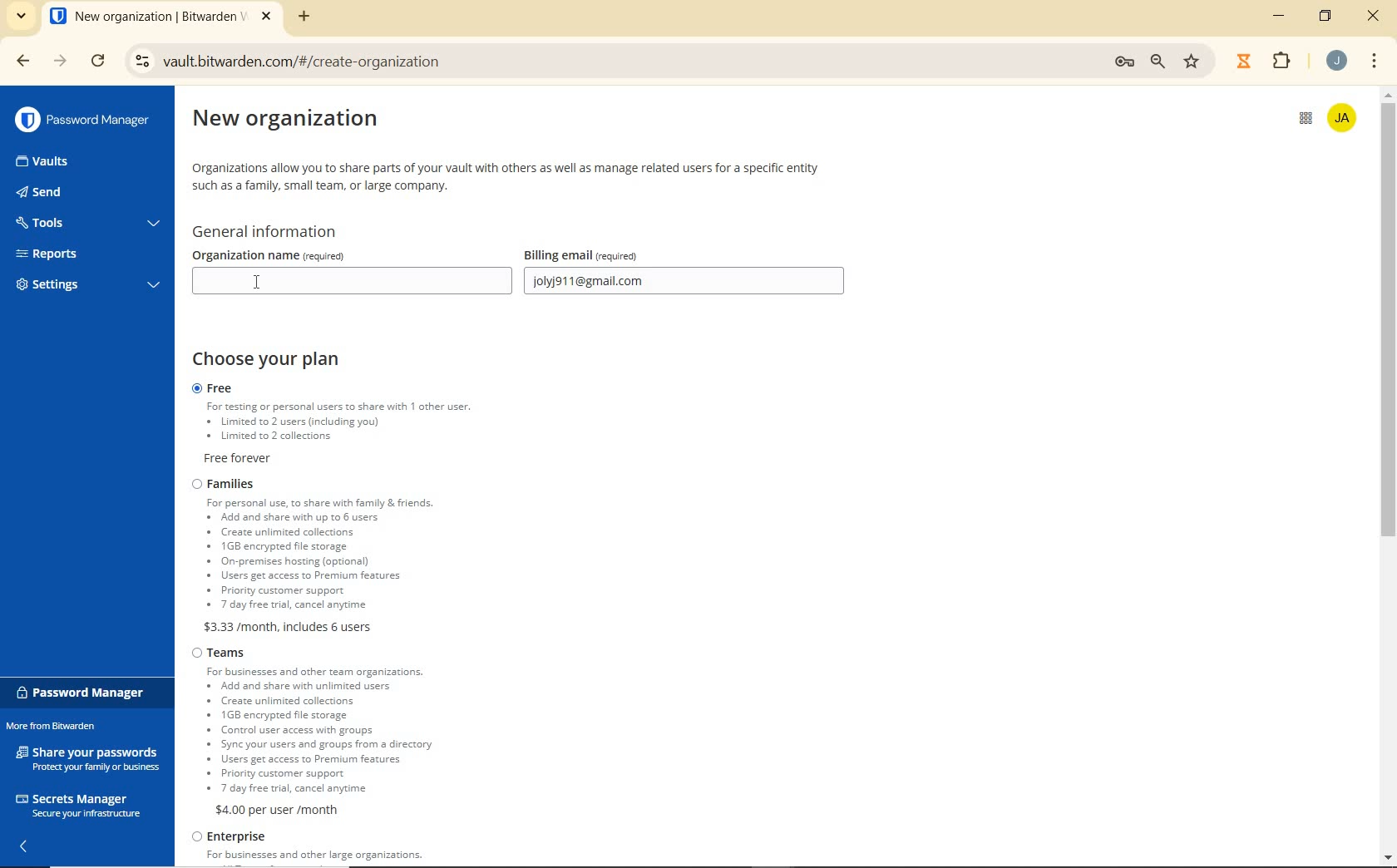 Image resolution: width=1397 pixels, height=868 pixels. I want to click on send, so click(67, 194).